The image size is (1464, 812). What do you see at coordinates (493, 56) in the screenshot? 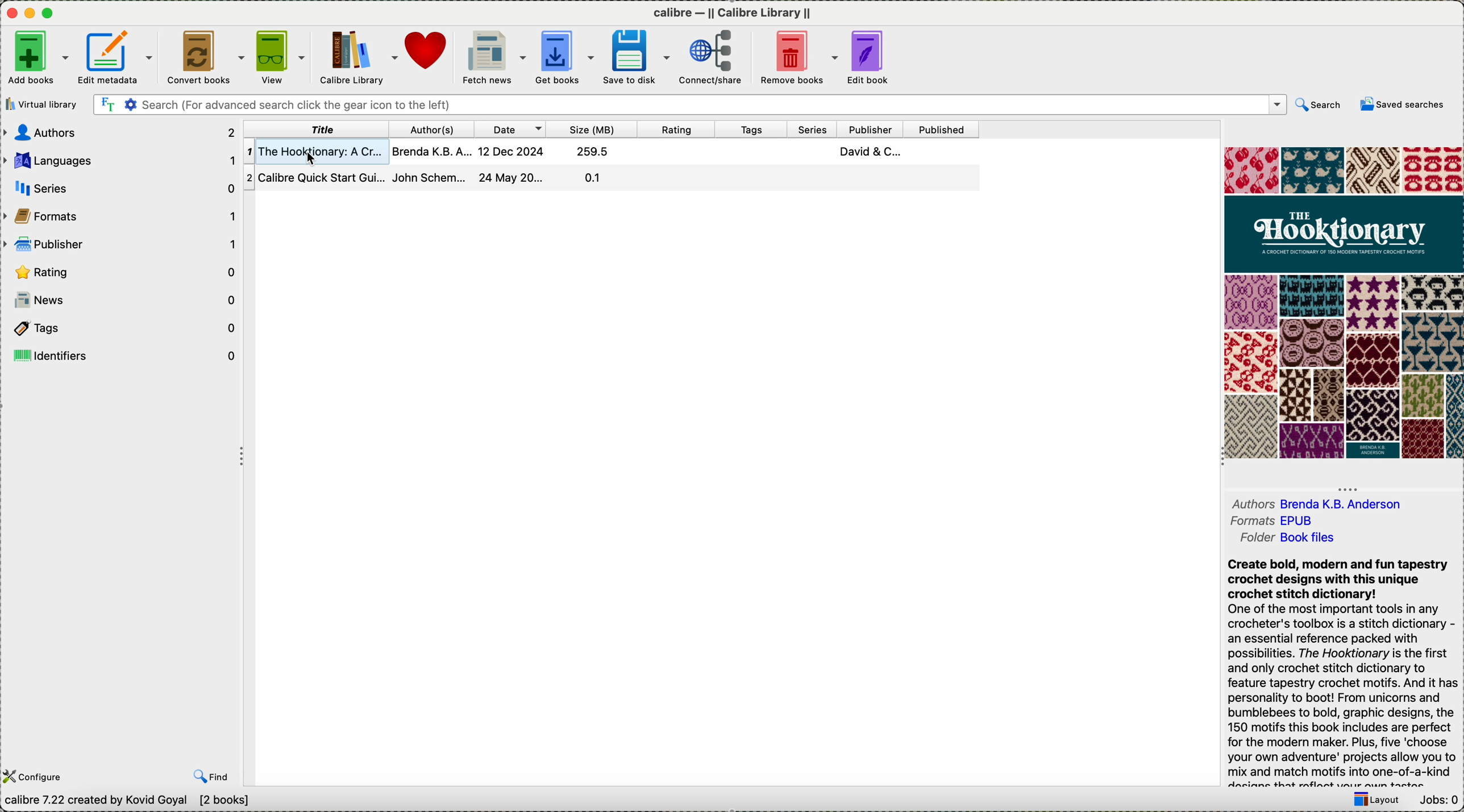
I see `fetch news` at bounding box center [493, 56].